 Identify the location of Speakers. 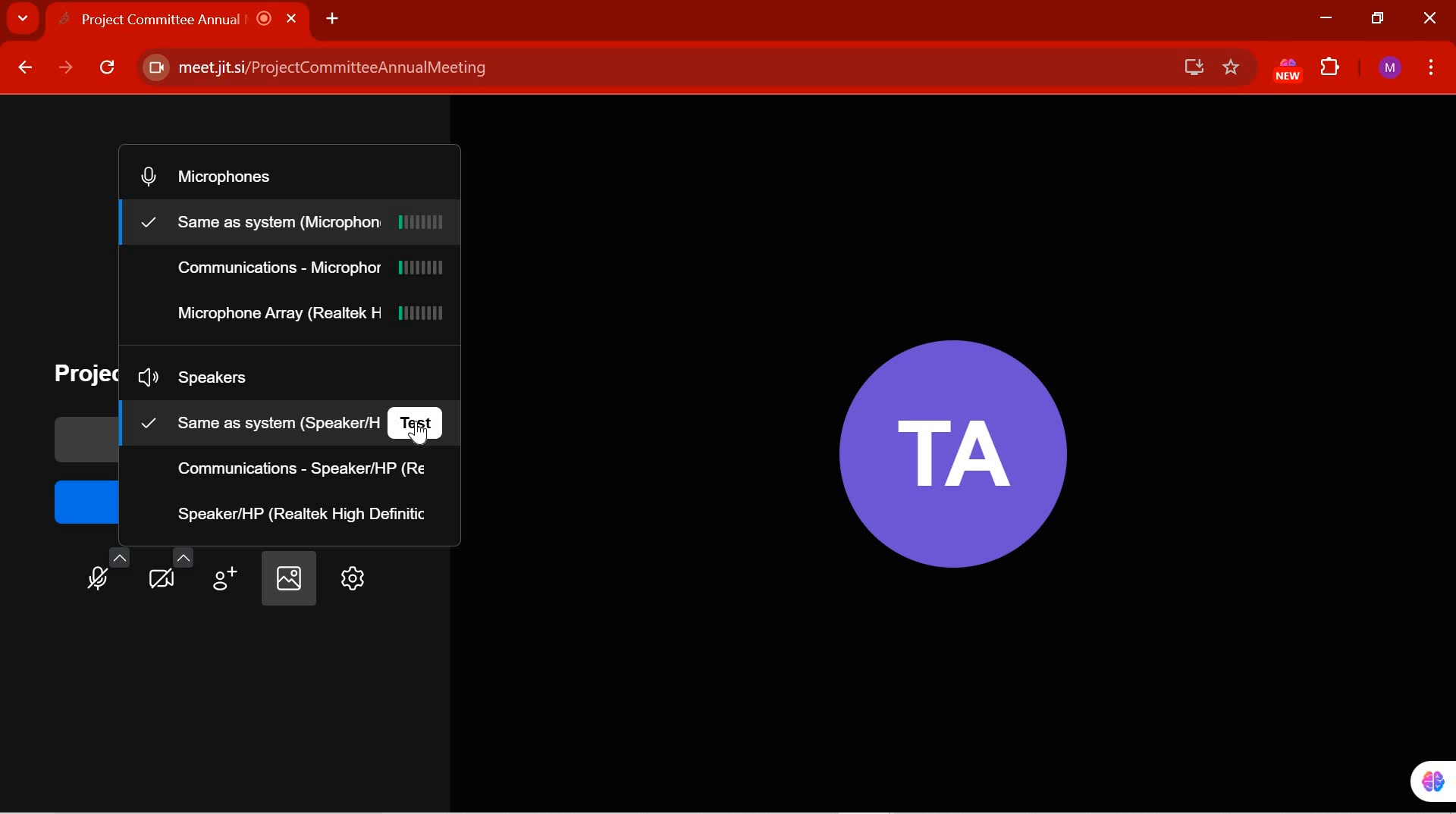
(214, 378).